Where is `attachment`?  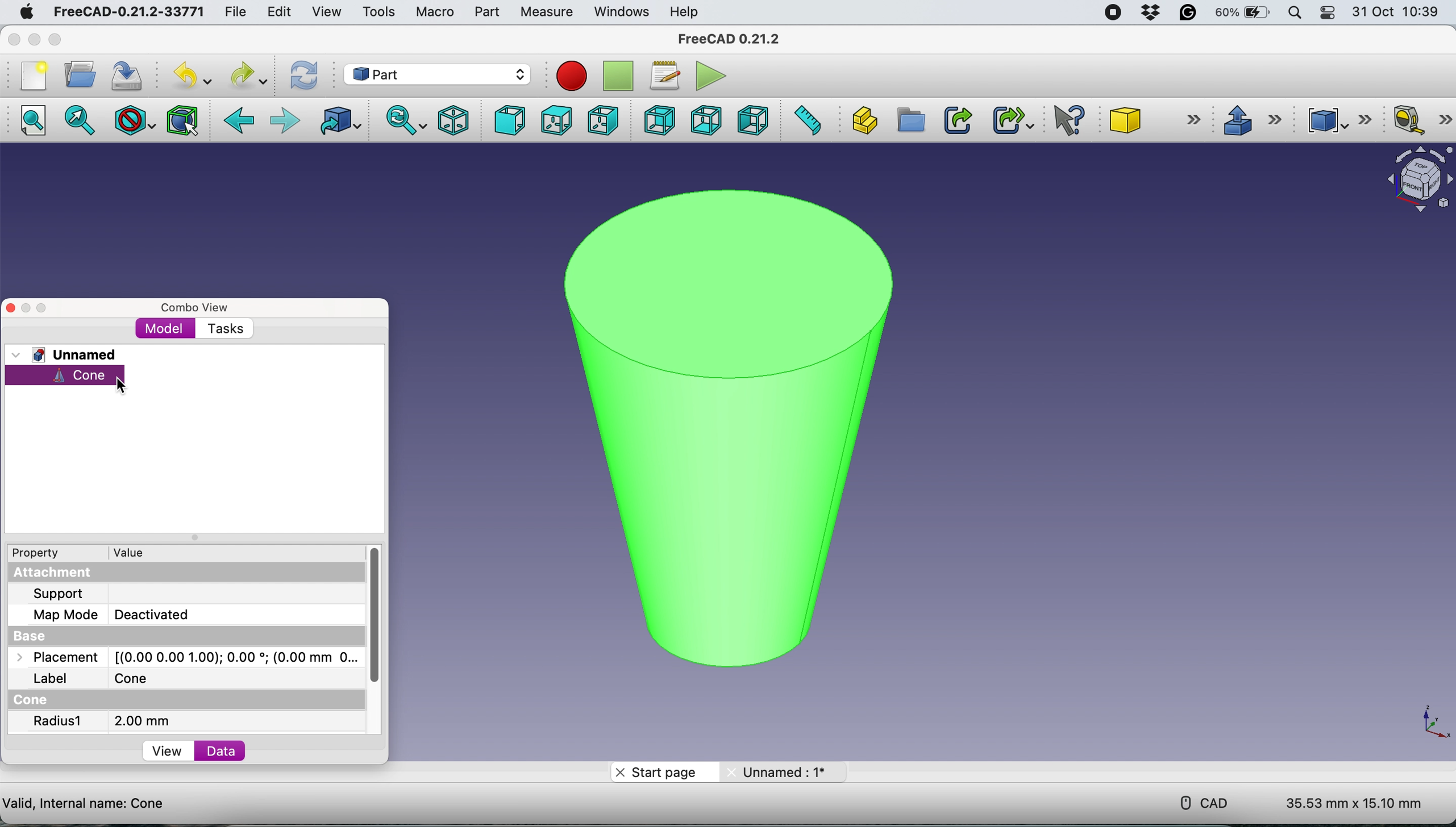 attachment is located at coordinates (66, 573).